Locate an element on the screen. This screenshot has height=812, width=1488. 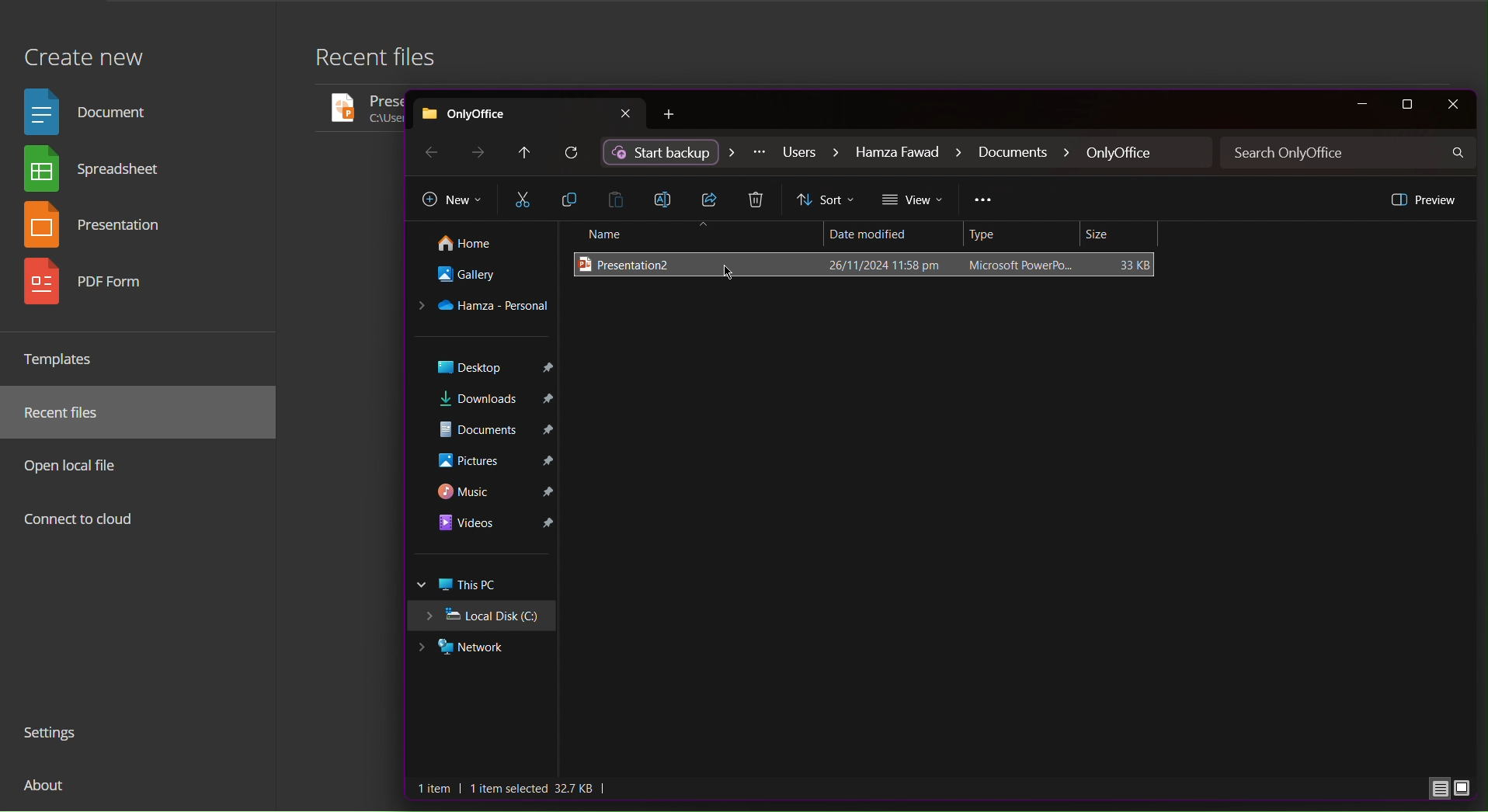
Search OnlyOffice is located at coordinates (1350, 153).